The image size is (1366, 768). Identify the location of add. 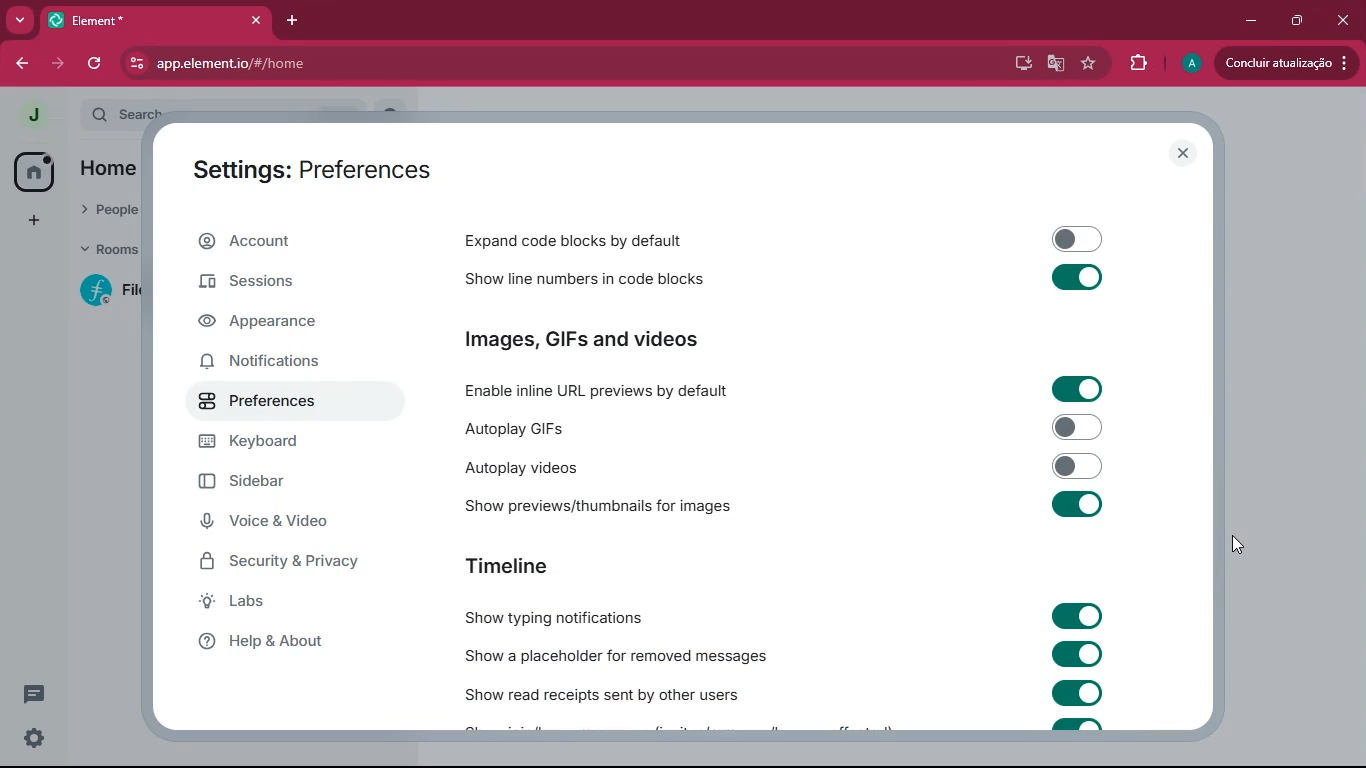
(32, 221).